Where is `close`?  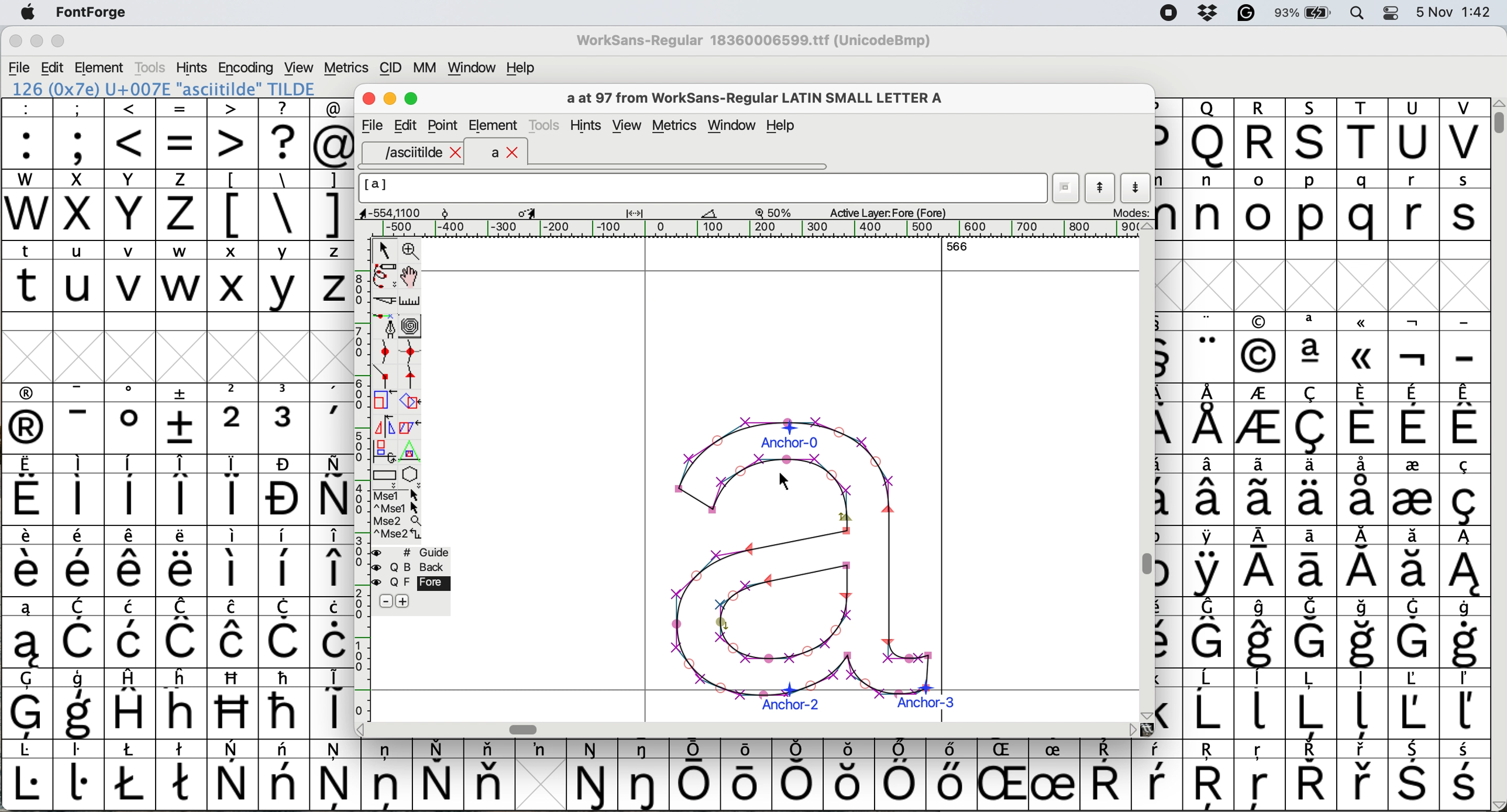
close is located at coordinates (15, 43).